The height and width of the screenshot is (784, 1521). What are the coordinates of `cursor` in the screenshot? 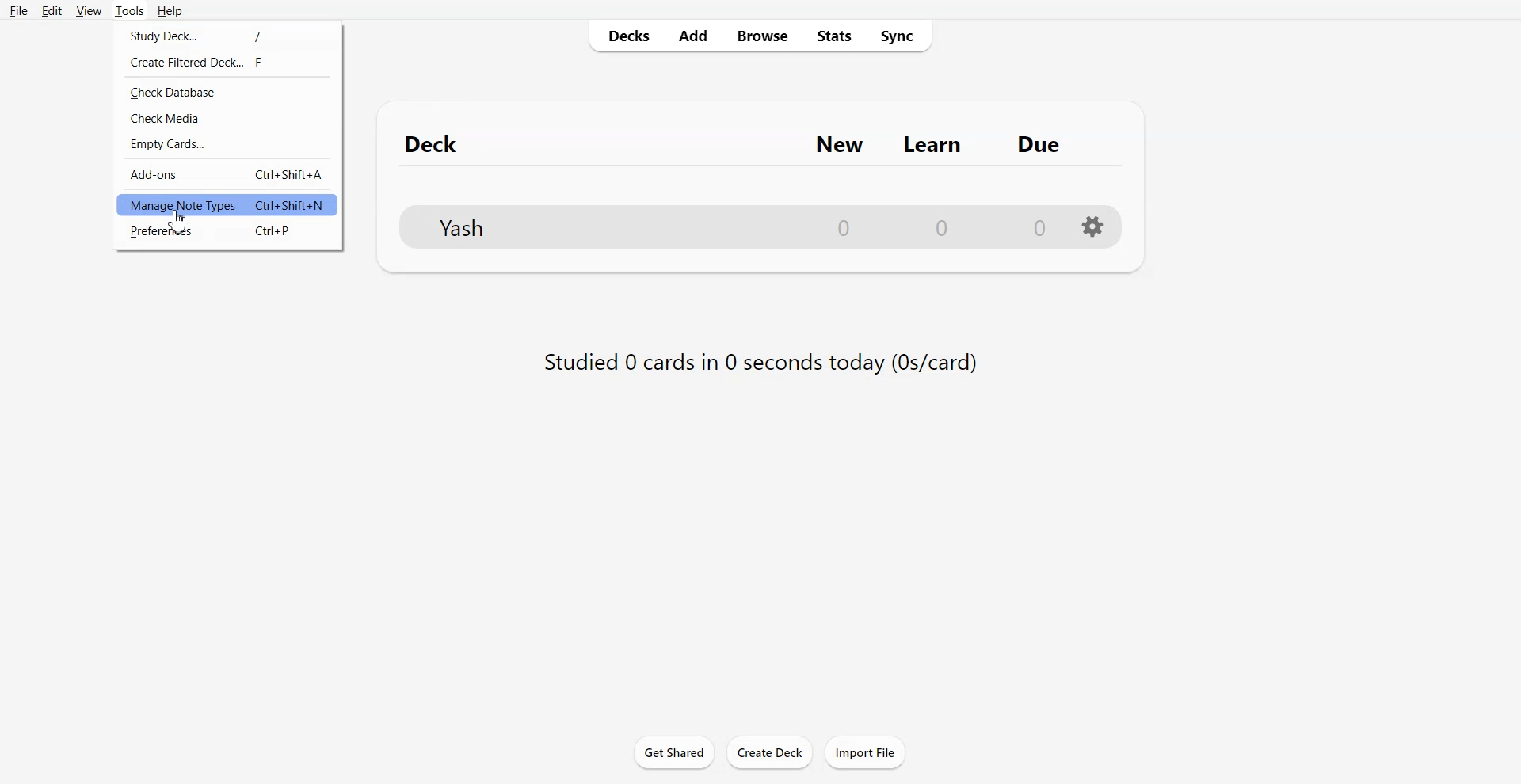 It's located at (179, 223).